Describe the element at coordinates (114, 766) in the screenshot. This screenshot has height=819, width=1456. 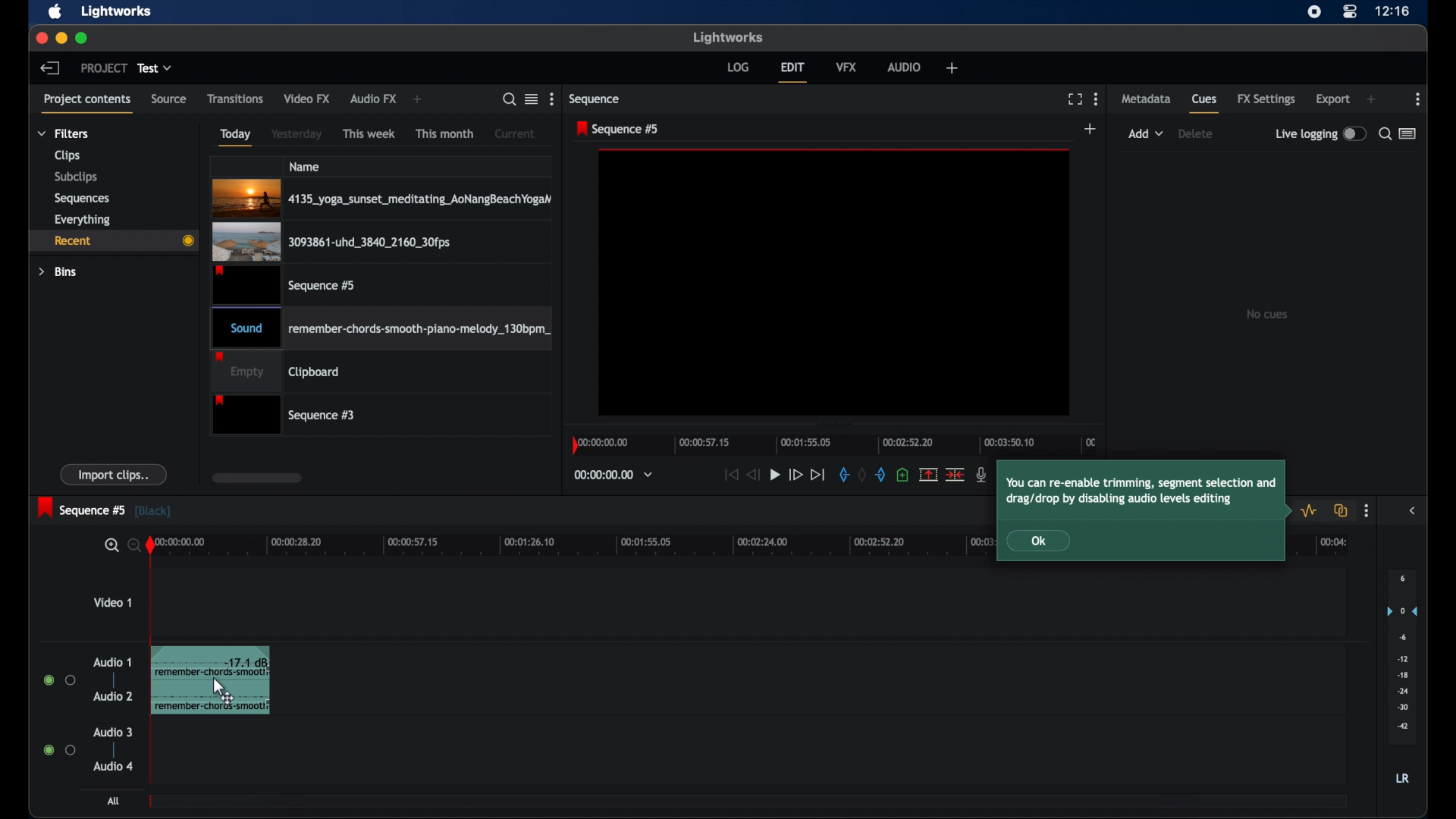
I see `audio 4` at that location.